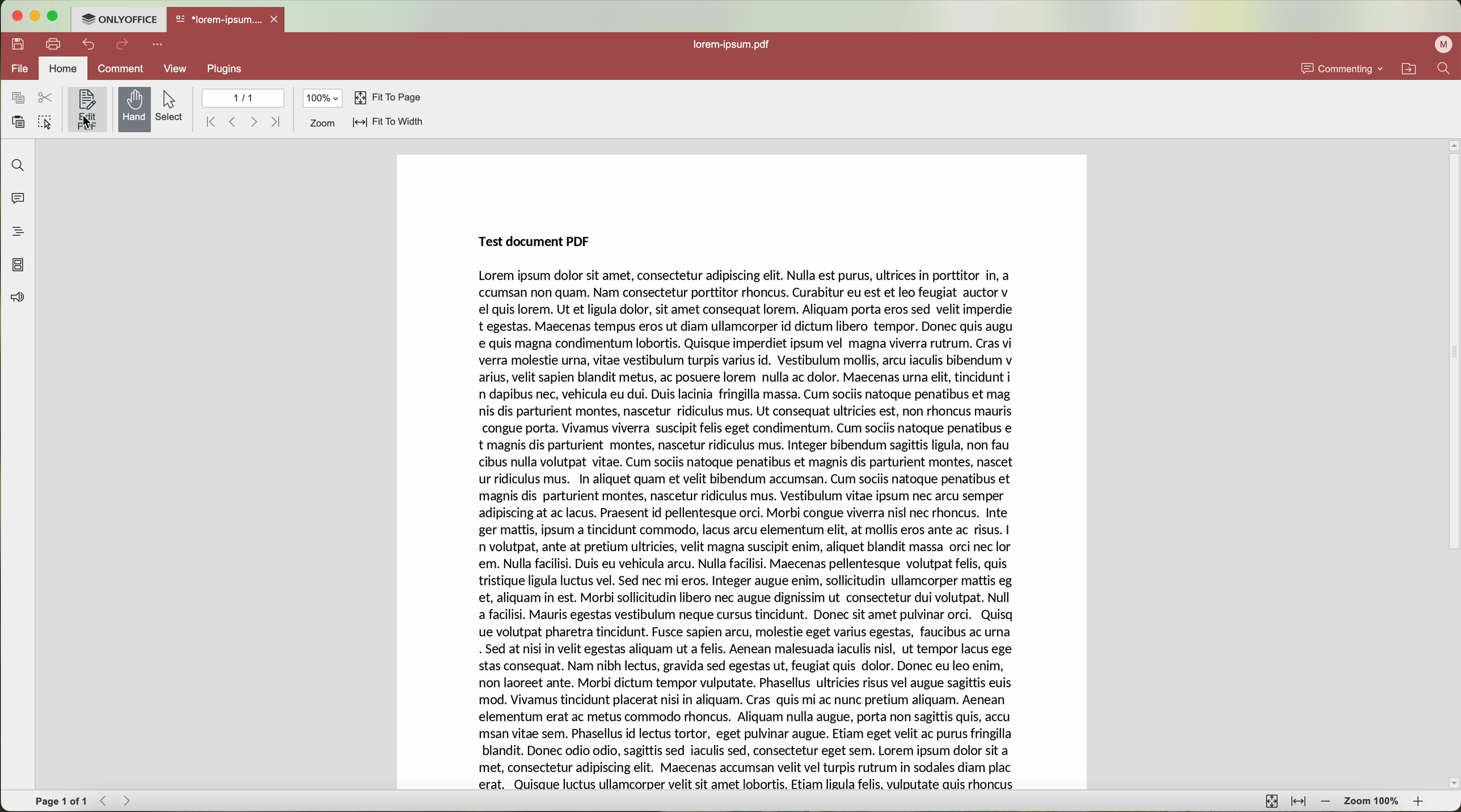 Image resolution: width=1461 pixels, height=812 pixels. Describe the element at coordinates (227, 20) in the screenshot. I see `open file` at that location.